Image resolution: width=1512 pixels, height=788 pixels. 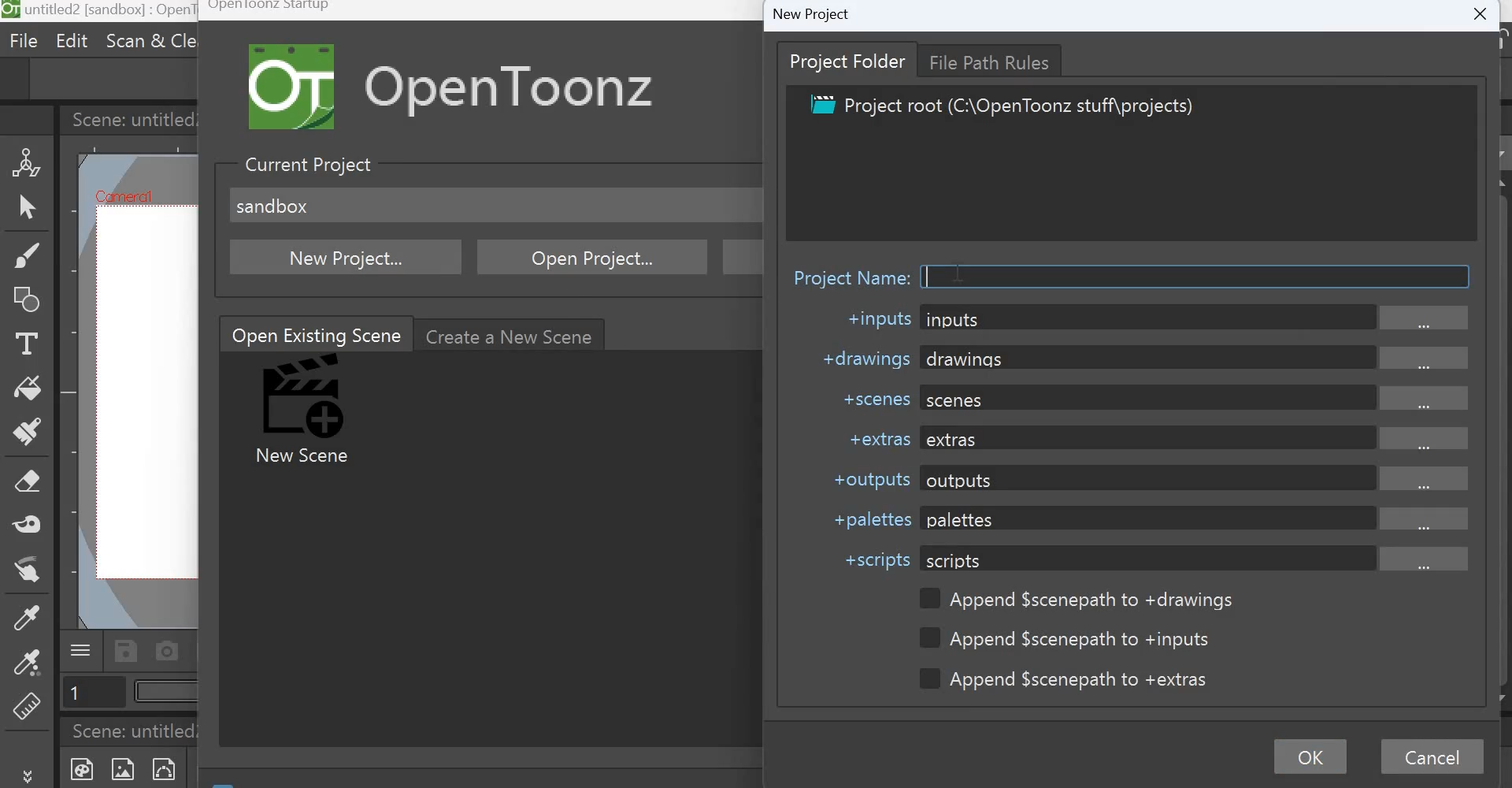 I want to click on Animate Tool, so click(x=28, y=161).